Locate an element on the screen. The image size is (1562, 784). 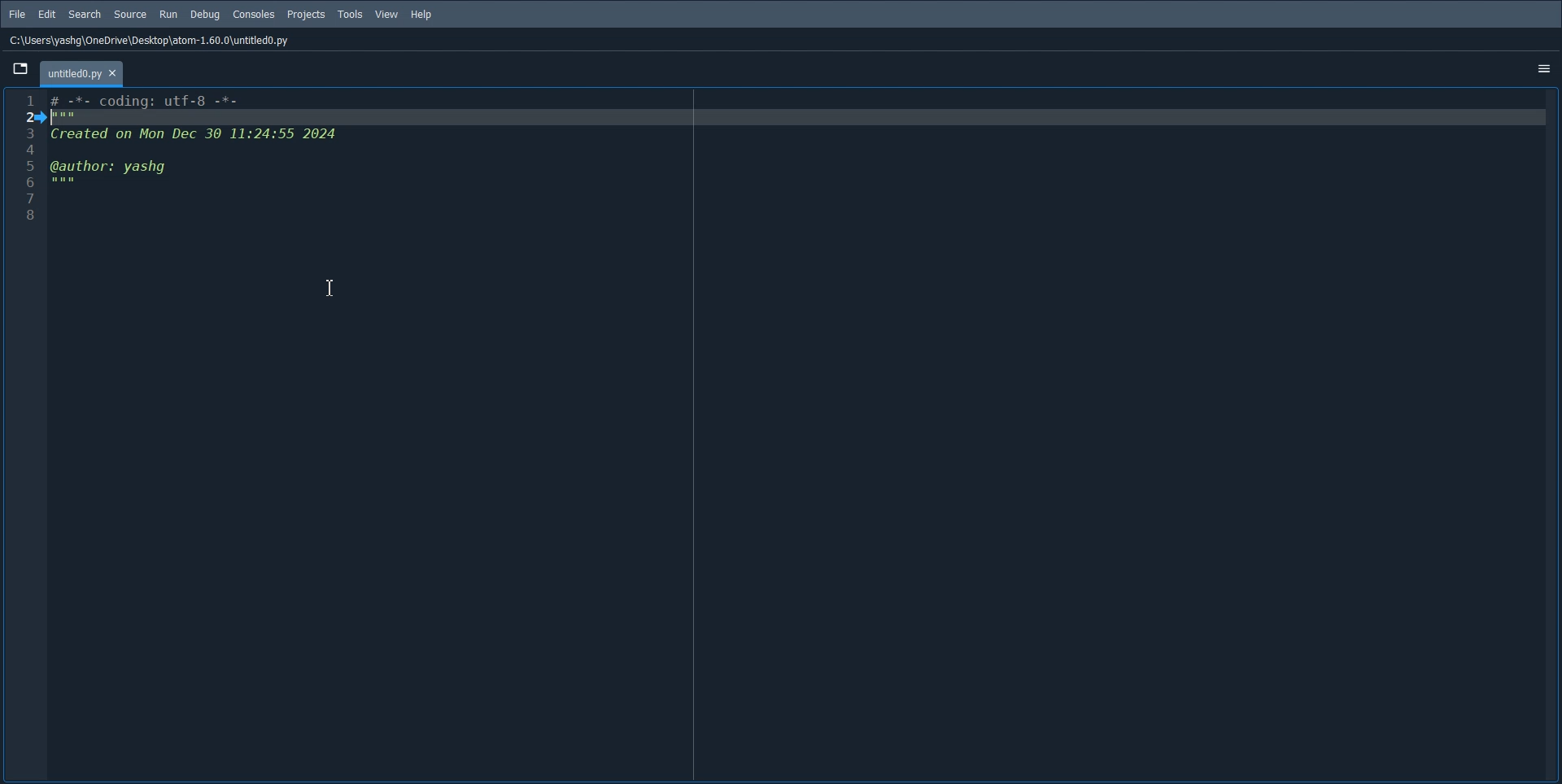
# -*- coding: utf-8 -*- """ Spyder Editor  This is a temporary script file. """ is located at coordinates (798, 436).